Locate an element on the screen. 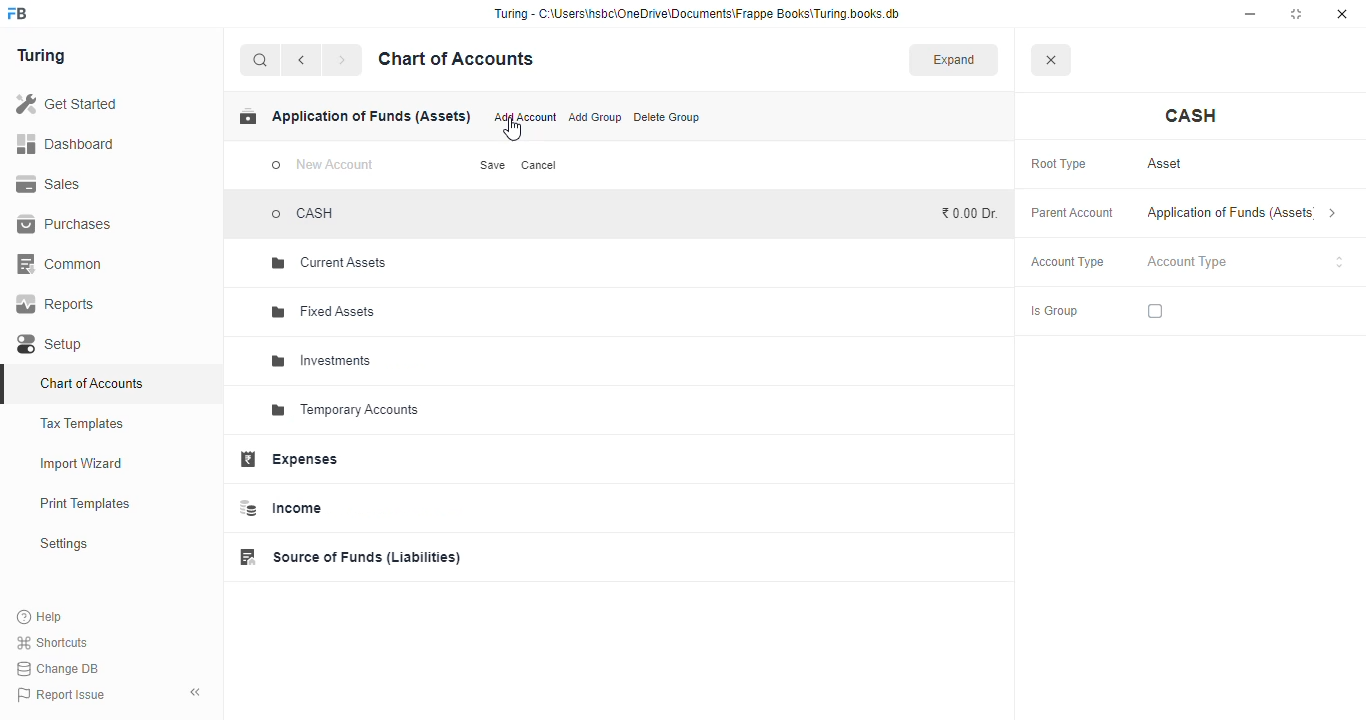 The height and width of the screenshot is (720, 1366). maximize is located at coordinates (1296, 14).